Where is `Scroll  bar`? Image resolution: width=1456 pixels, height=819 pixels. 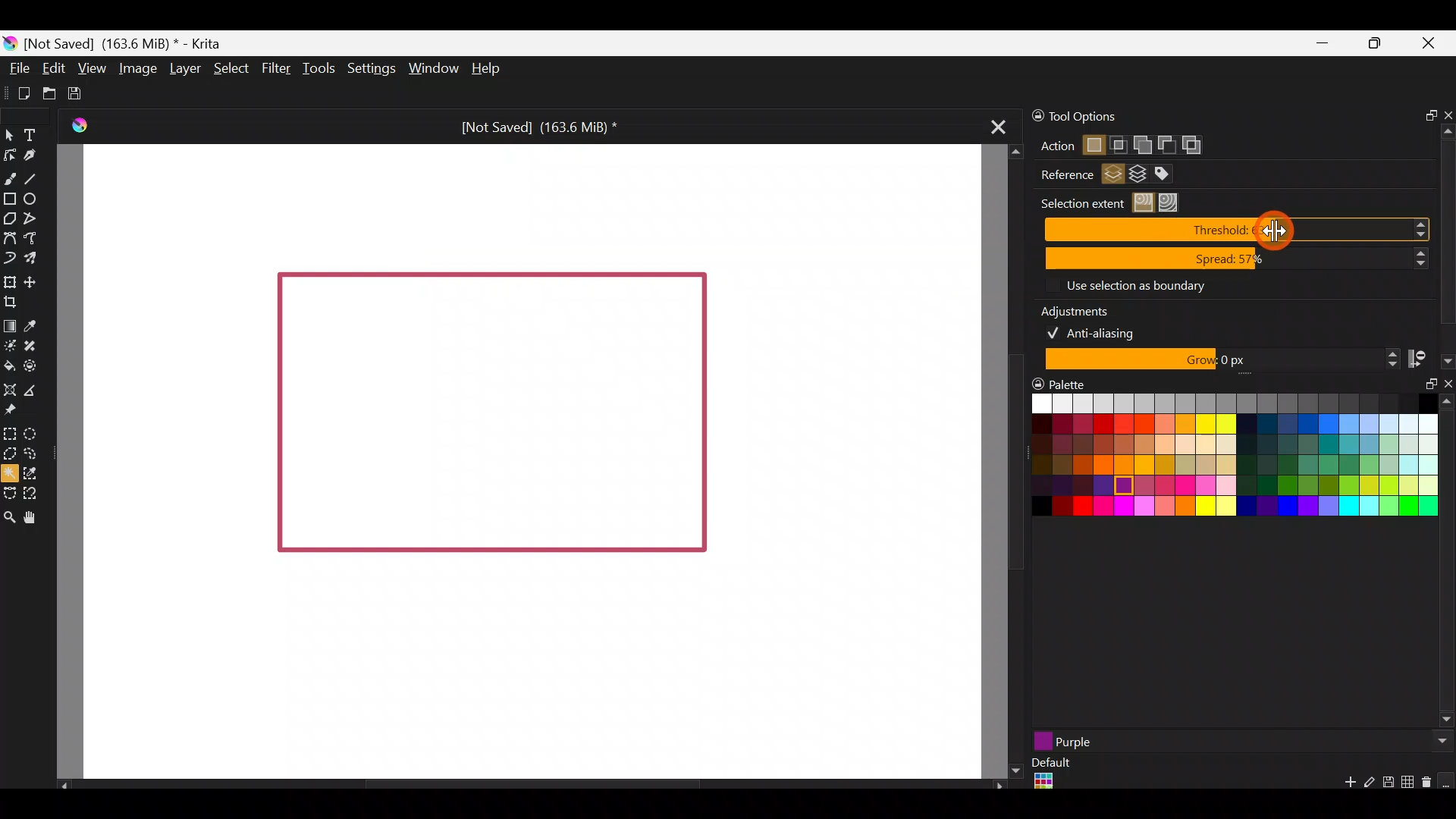 Scroll  bar is located at coordinates (1447, 230).